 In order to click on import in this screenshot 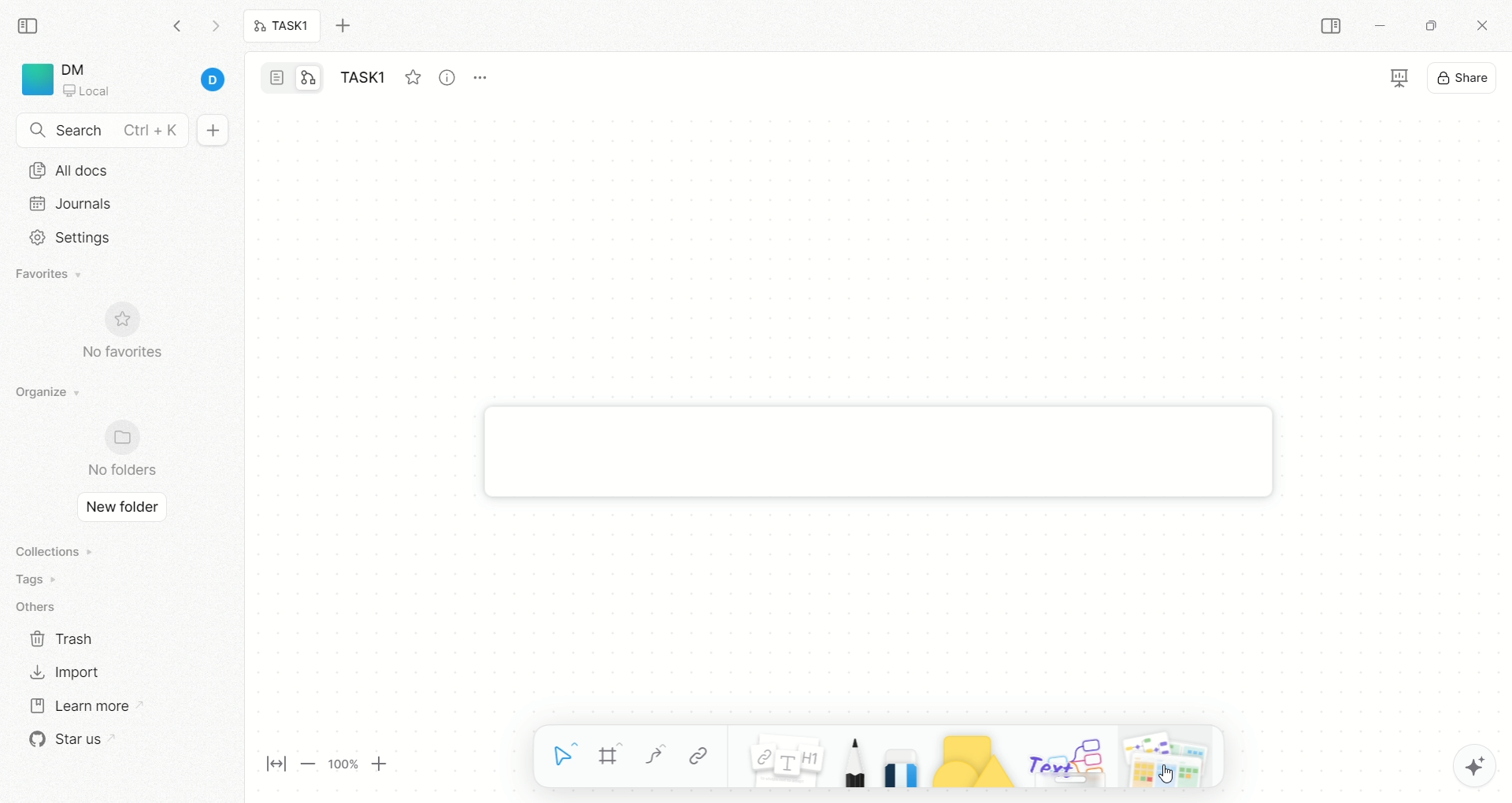, I will do `click(63, 672)`.